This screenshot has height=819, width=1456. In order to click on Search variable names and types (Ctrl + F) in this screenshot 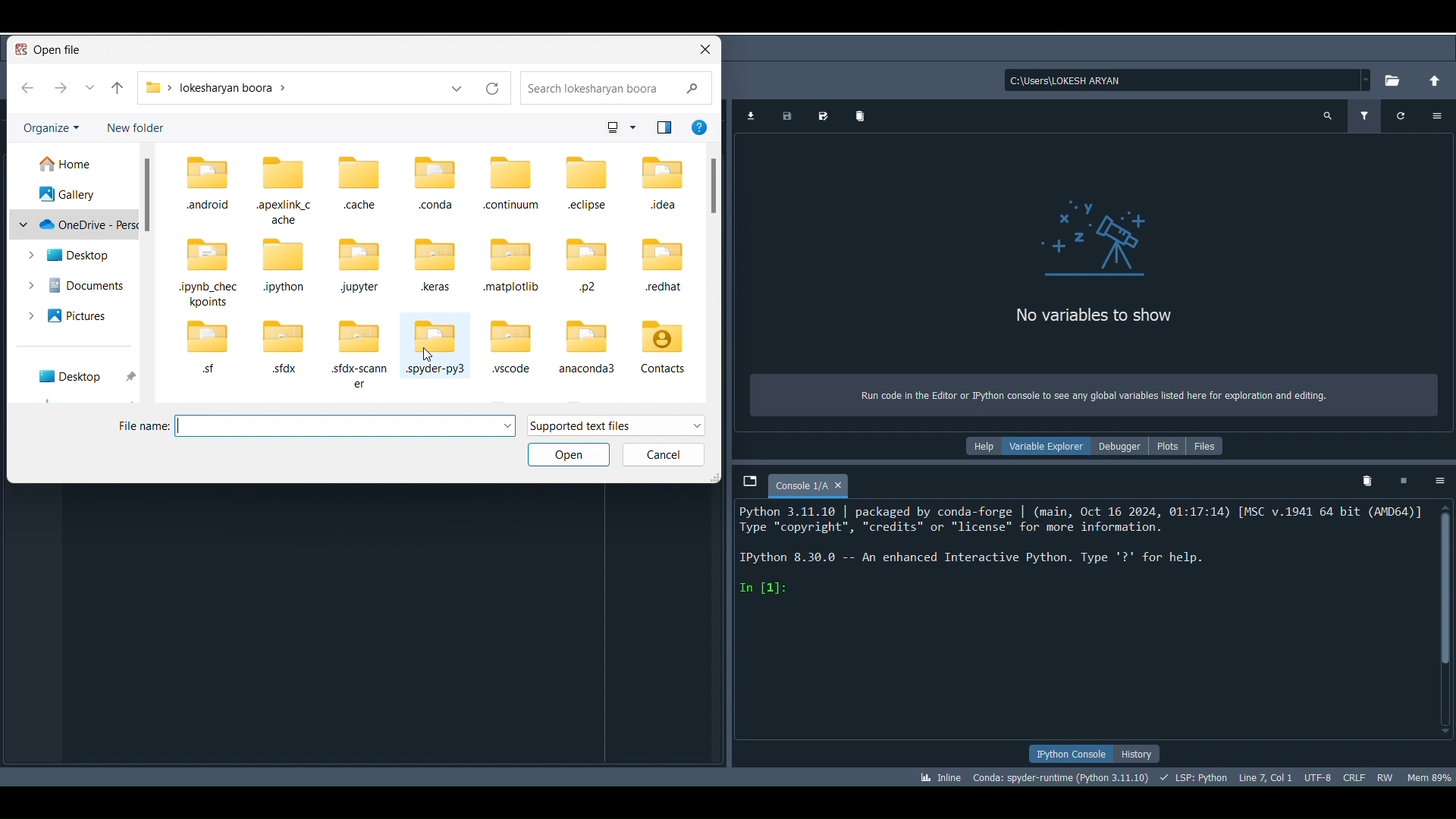, I will do `click(1325, 117)`.